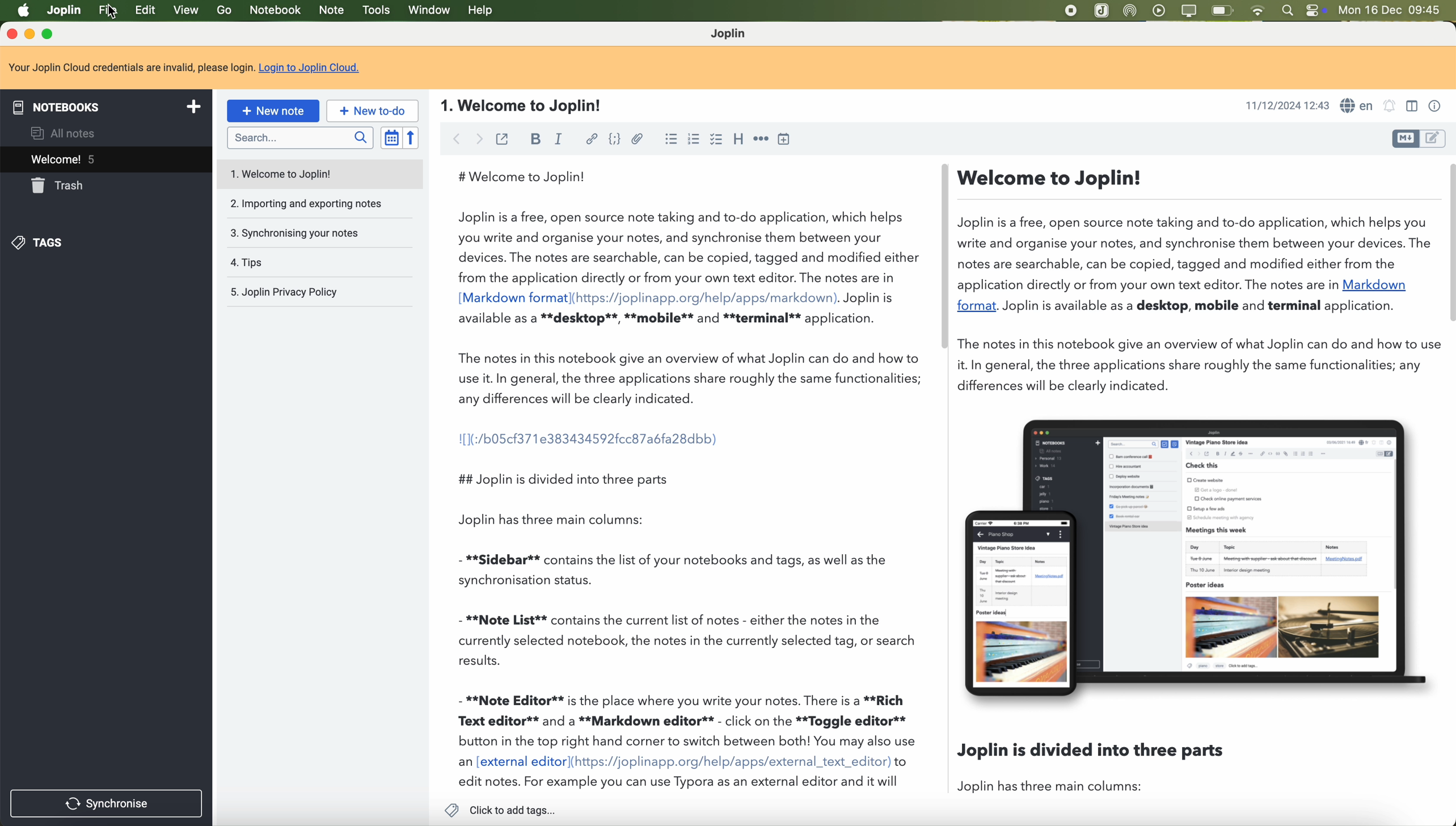  Describe the element at coordinates (1223, 10) in the screenshot. I see `battery` at that location.